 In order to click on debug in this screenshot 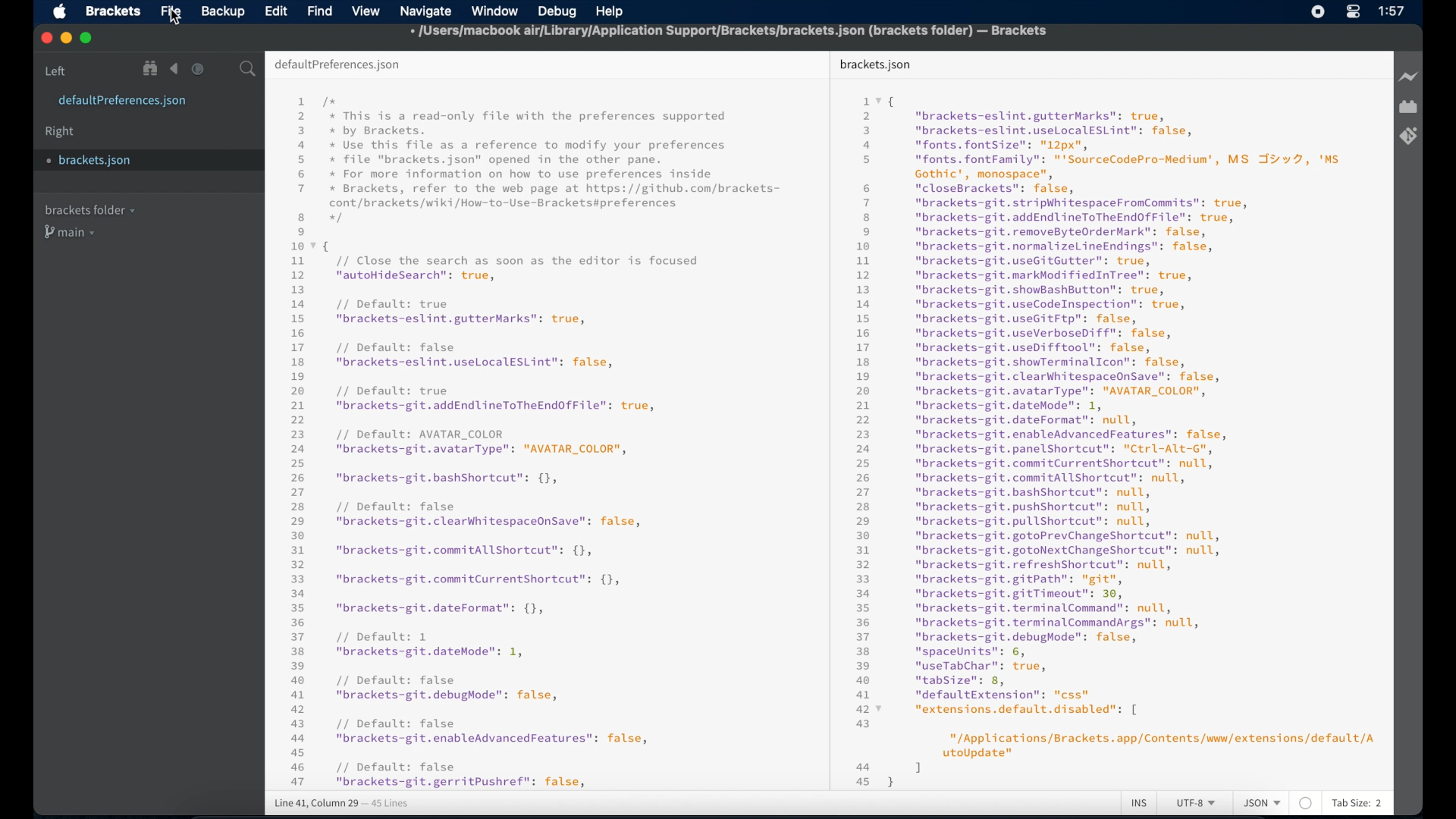, I will do `click(560, 13)`.